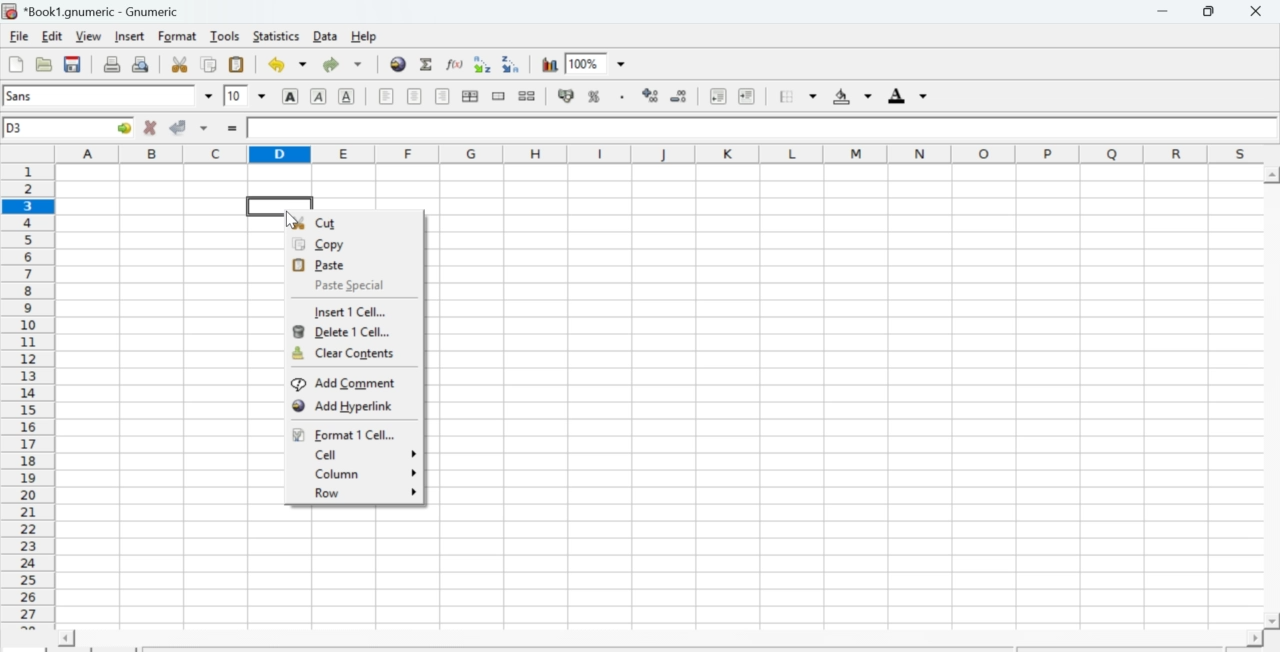 The height and width of the screenshot is (652, 1280). I want to click on Contents of the cell, so click(754, 128).